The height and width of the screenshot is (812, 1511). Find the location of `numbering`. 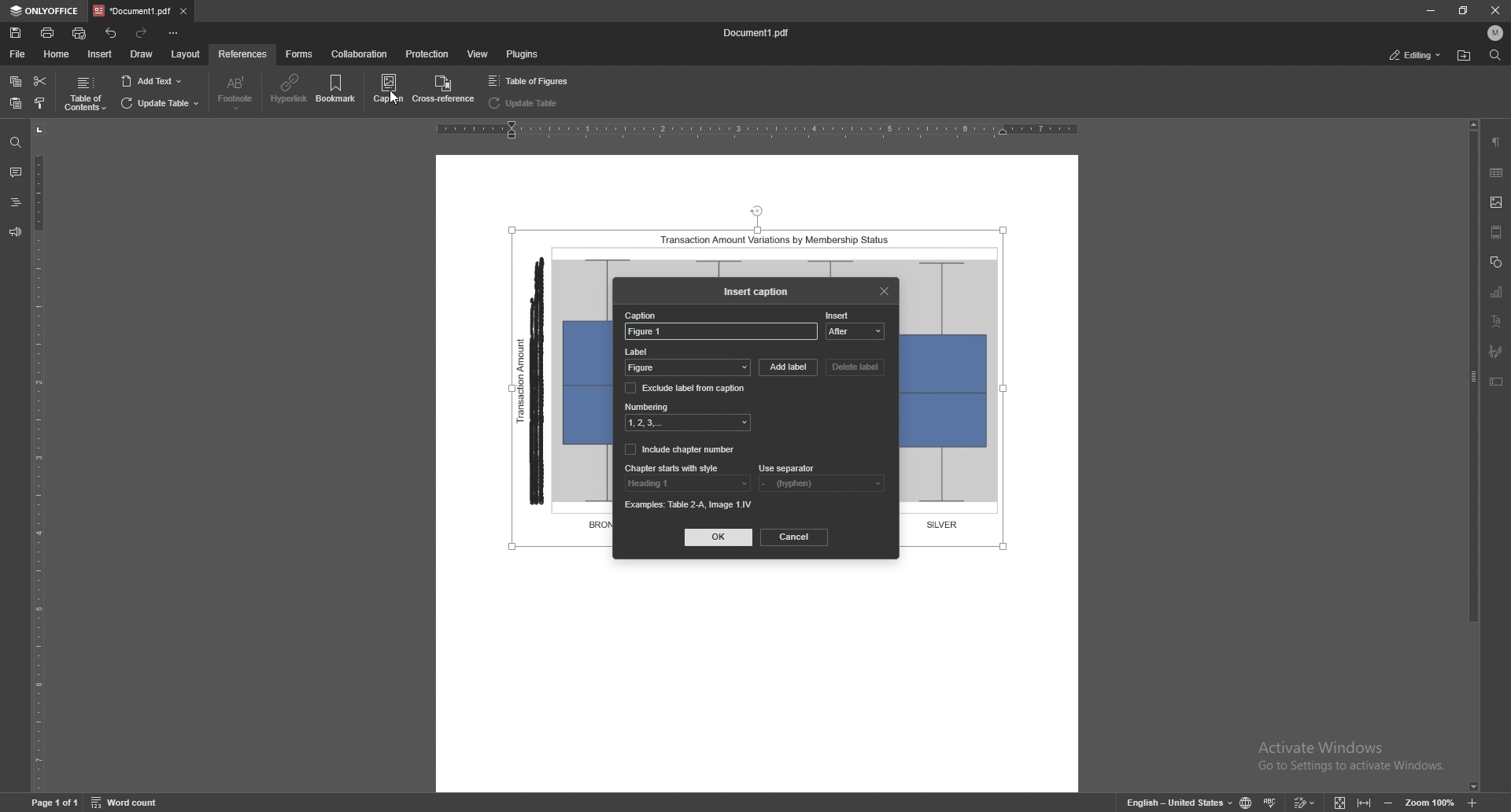

numbering is located at coordinates (648, 406).